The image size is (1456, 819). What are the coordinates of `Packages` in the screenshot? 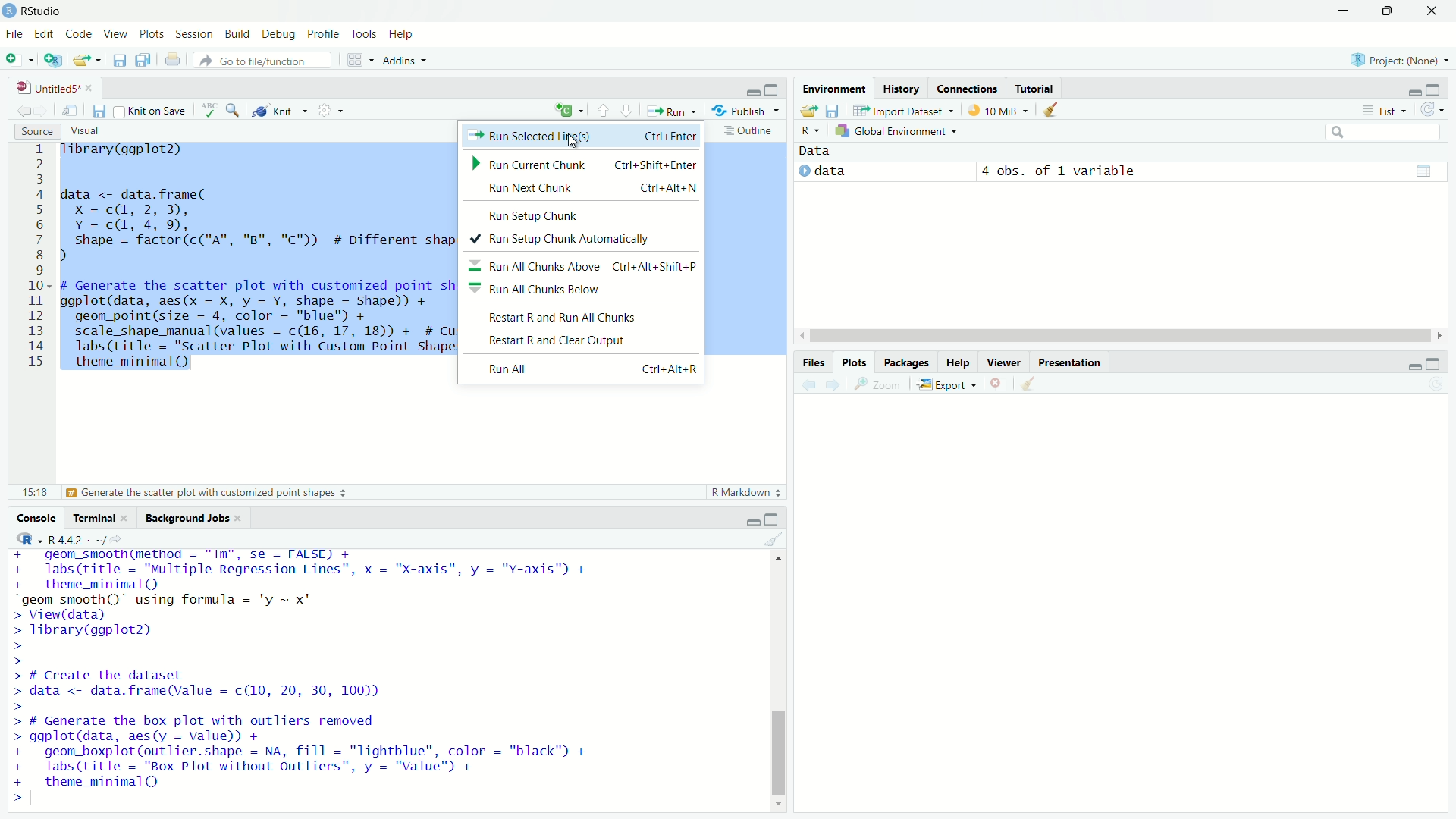 It's located at (906, 362).